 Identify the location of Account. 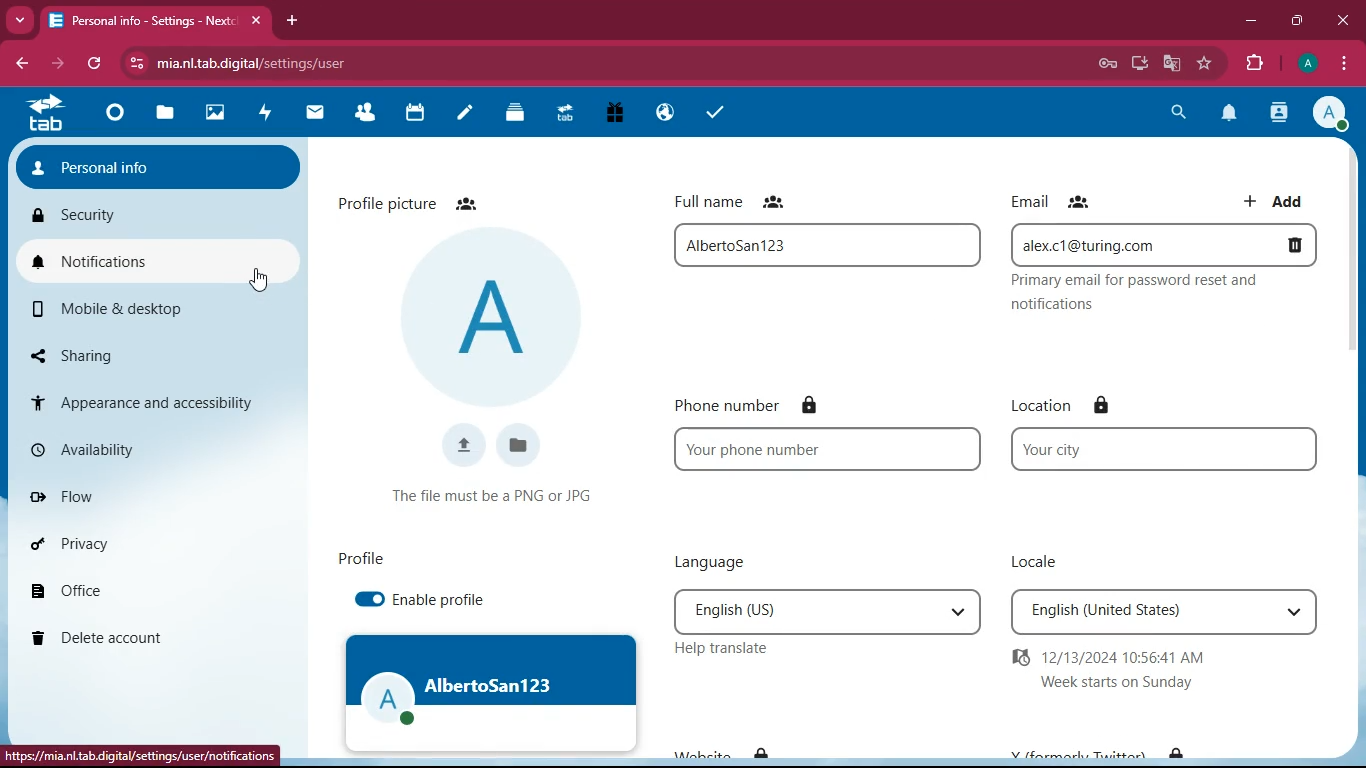
(1306, 64).